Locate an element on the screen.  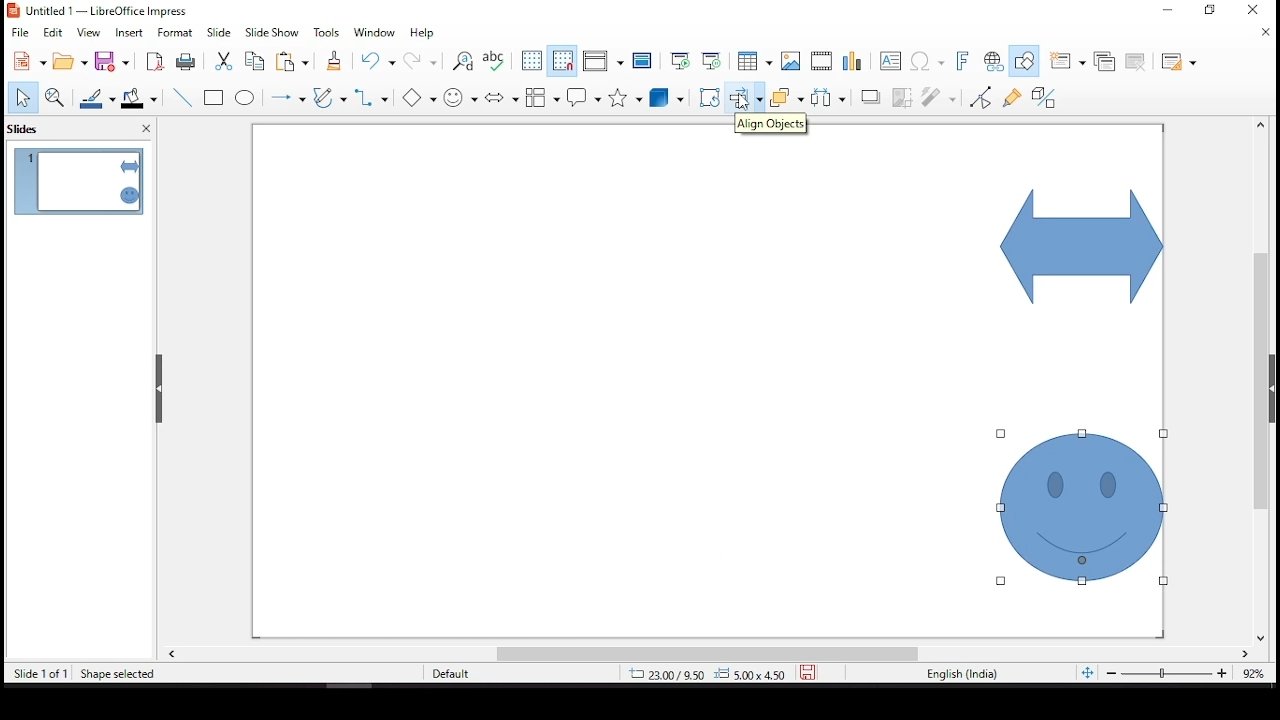
duplicate slide is located at coordinates (1103, 58).